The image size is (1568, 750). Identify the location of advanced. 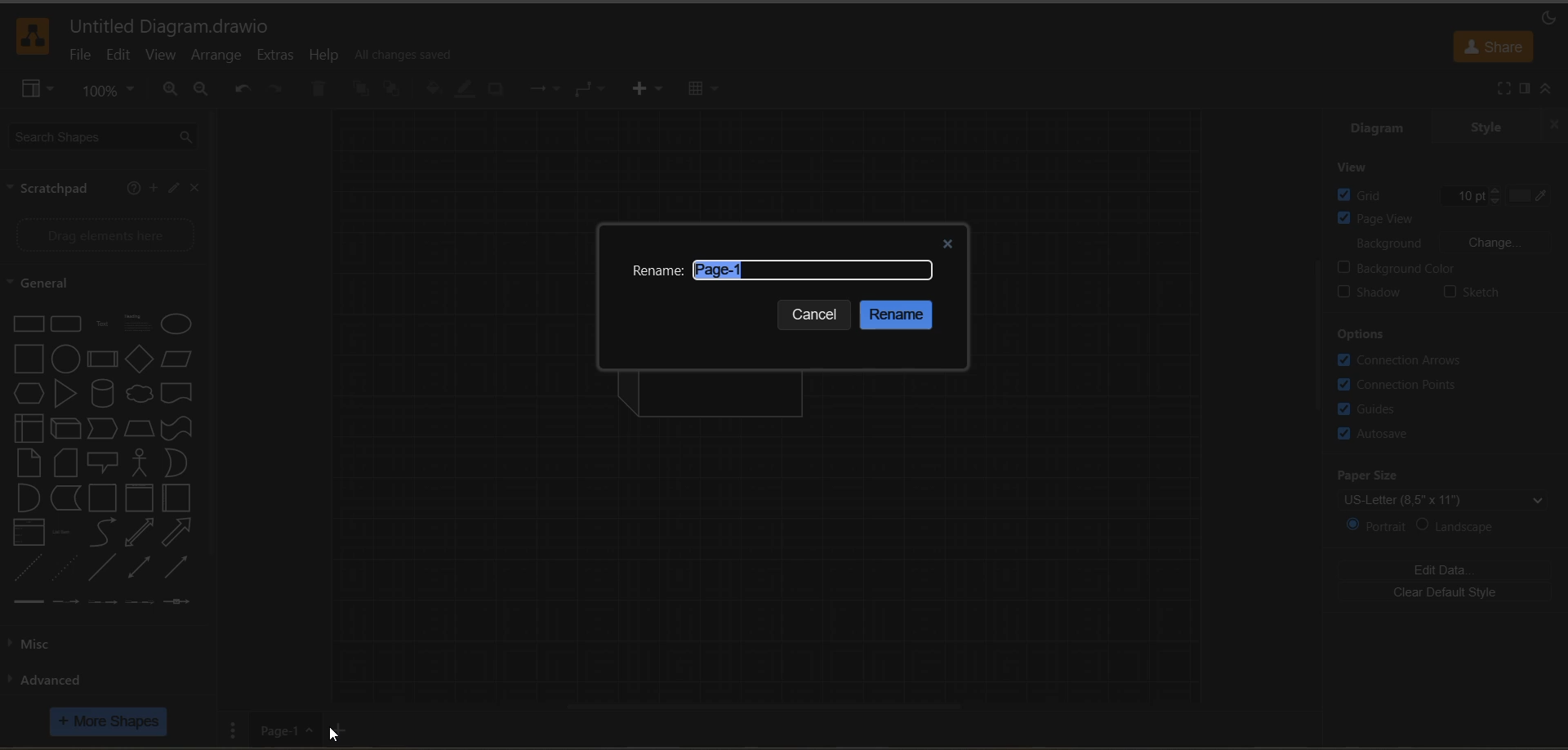
(49, 679).